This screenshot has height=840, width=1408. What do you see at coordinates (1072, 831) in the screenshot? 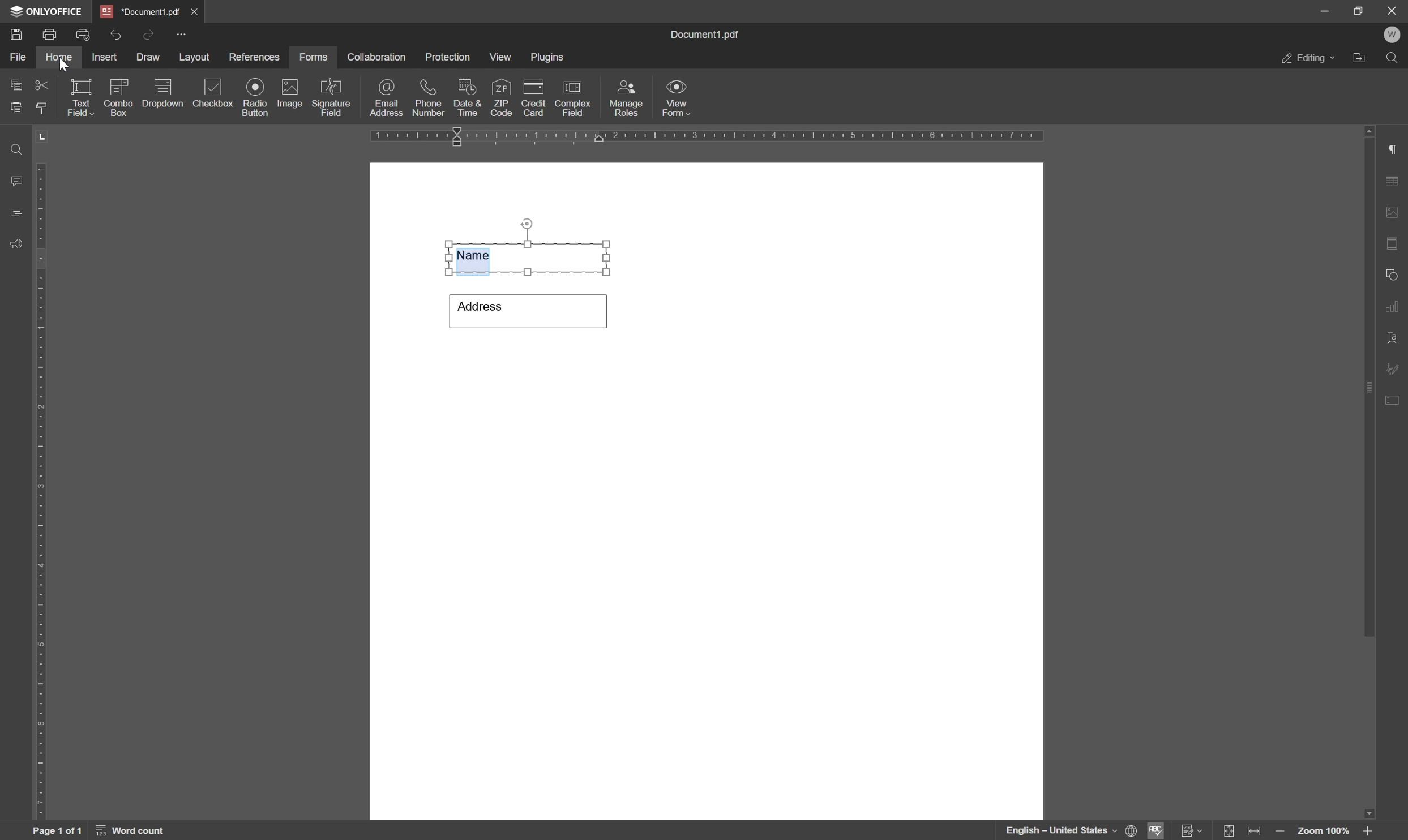
I see `English- united states` at bounding box center [1072, 831].